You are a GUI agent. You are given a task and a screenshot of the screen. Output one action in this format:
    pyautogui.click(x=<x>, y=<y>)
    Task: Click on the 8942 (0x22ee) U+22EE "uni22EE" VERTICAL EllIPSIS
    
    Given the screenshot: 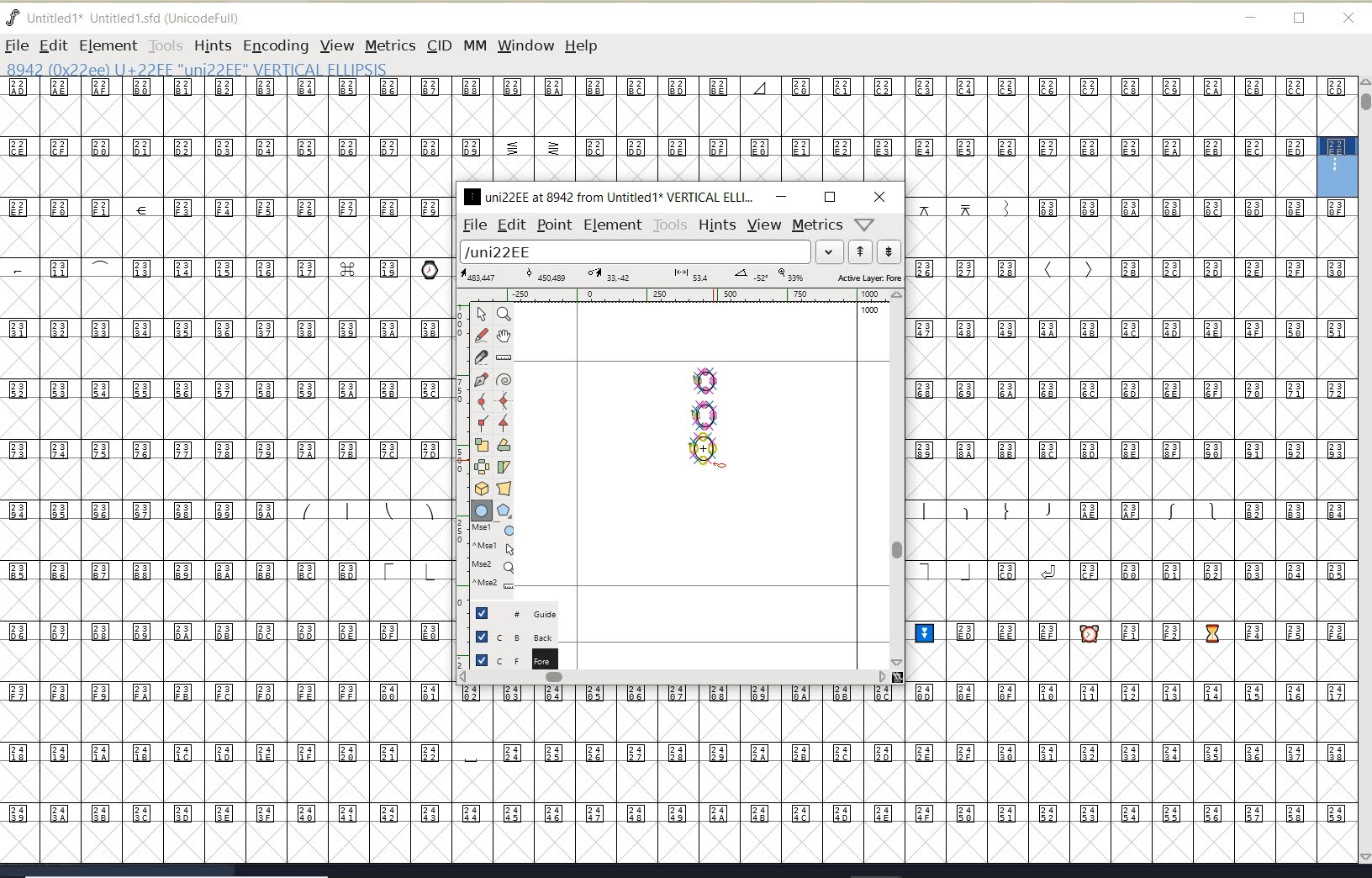 What is the action you would take?
    pyautogui.click(x=252, y=68)
    